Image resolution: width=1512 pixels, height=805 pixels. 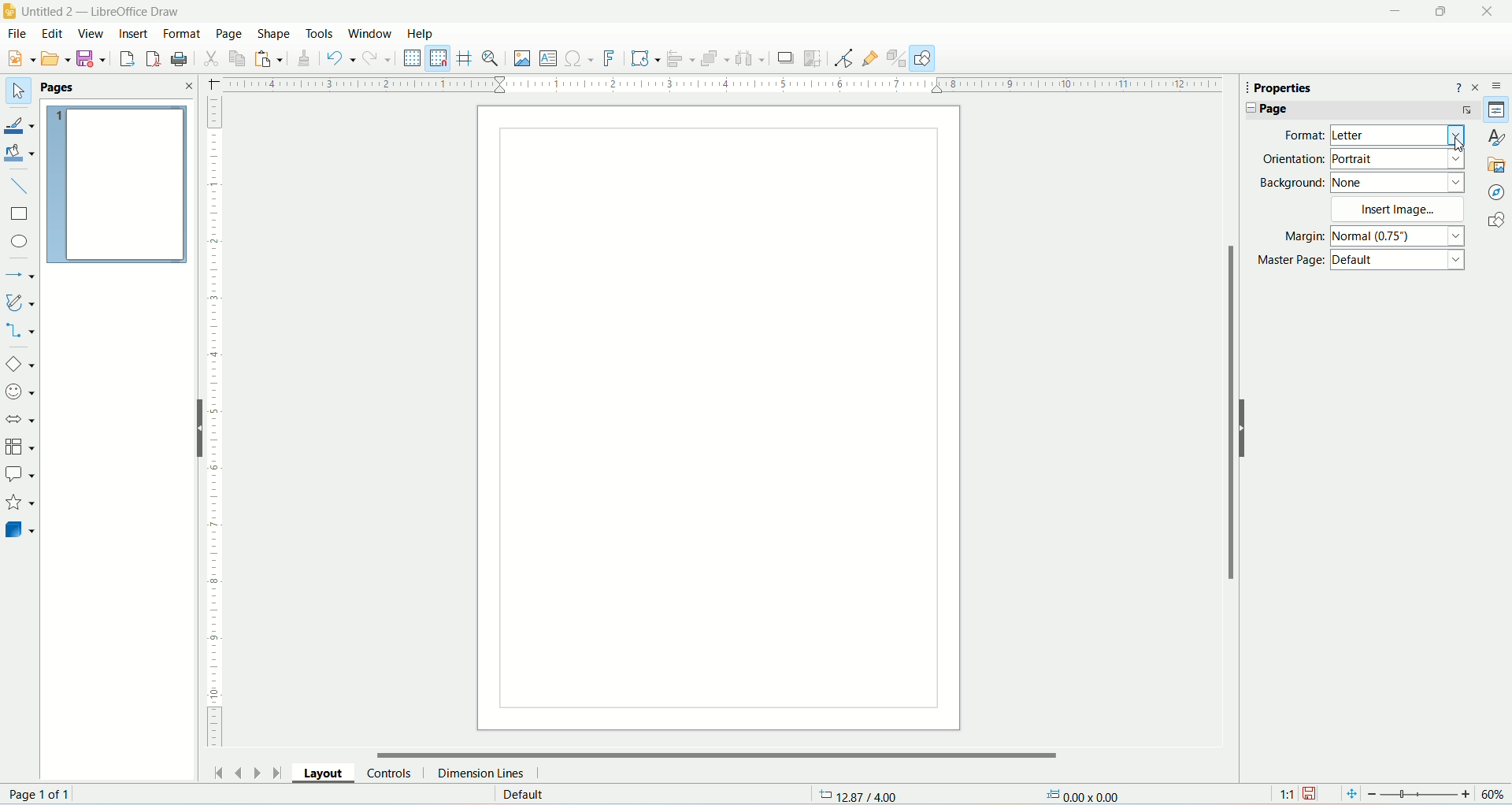 What do you see at coordinates (1350, 794) in the screenshot?
I see `fit page to current window` at bounding box center [1350, 794].